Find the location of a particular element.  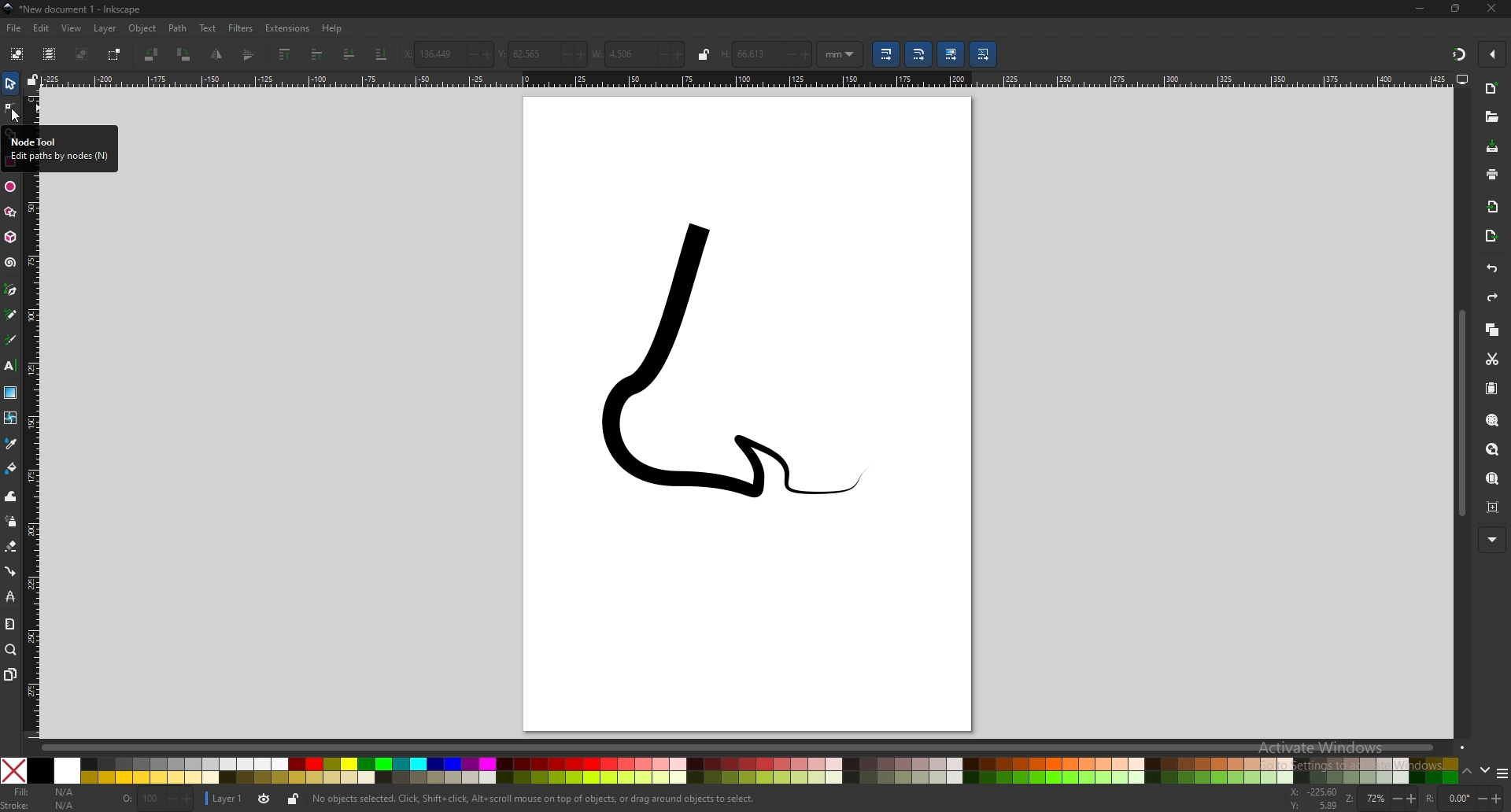

fill is located at coordinates (44, 792).